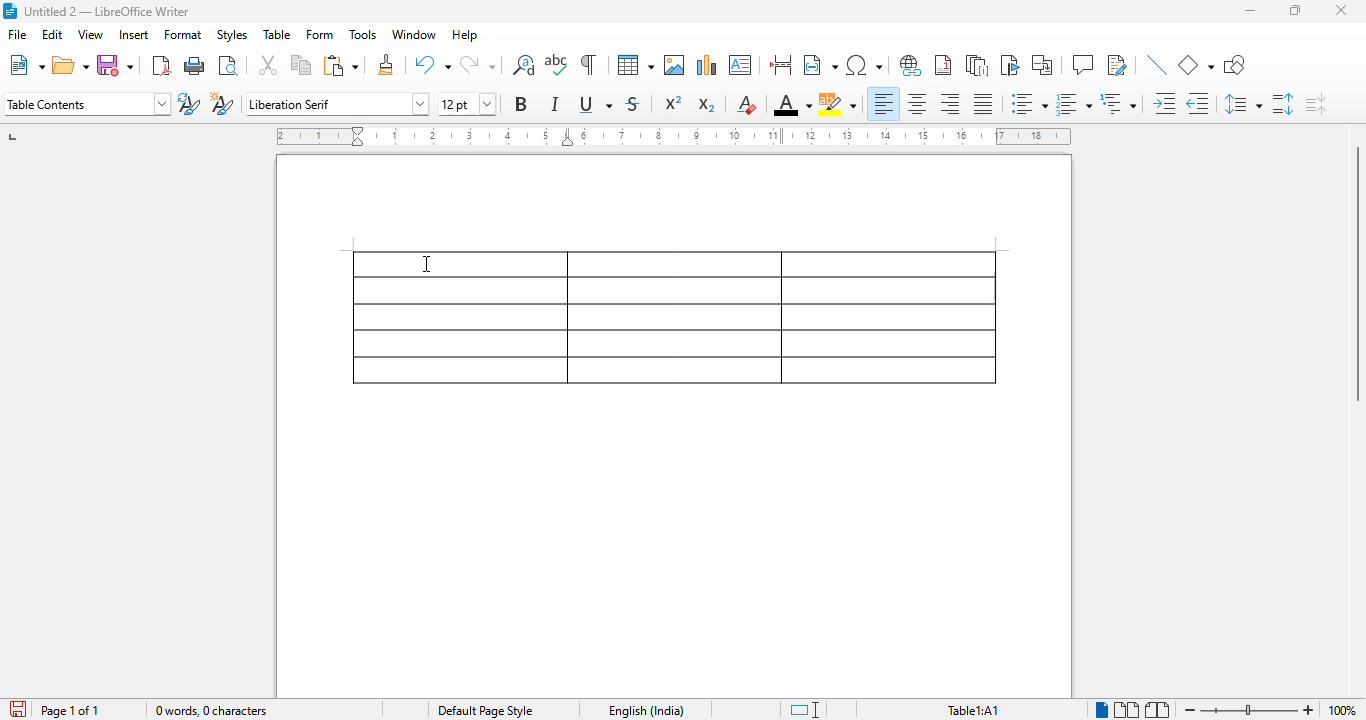 Image resolution: width=1366 pixels, height=720 pixels. Describe the element at coordinates (647, 711) in the screenshot. I see `text language` at that location.